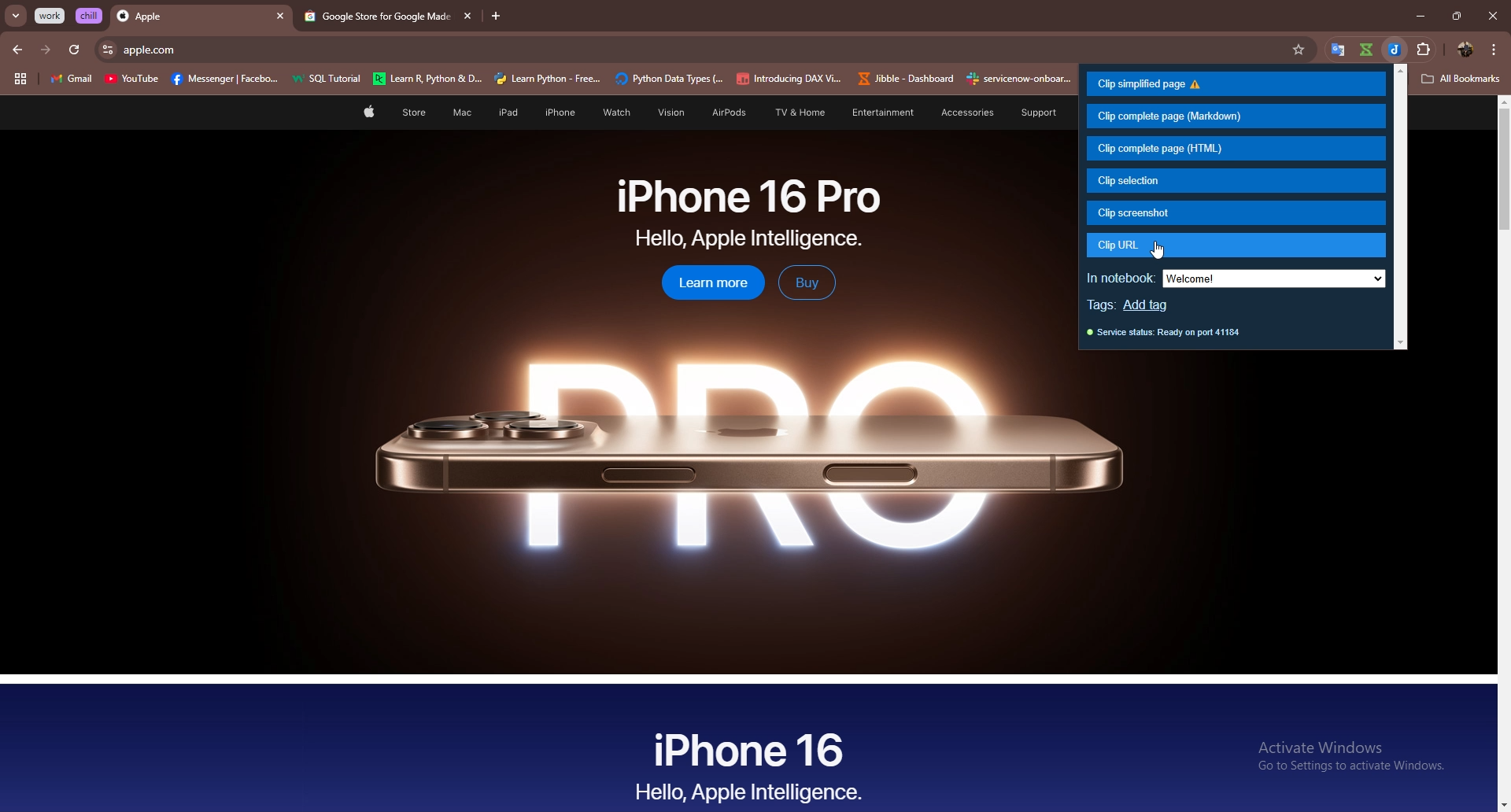 This screenshot has width=1511, height=812. Describe the element at coordinates (1396, 50) in the screenshot. I see `jibble ` at that location.